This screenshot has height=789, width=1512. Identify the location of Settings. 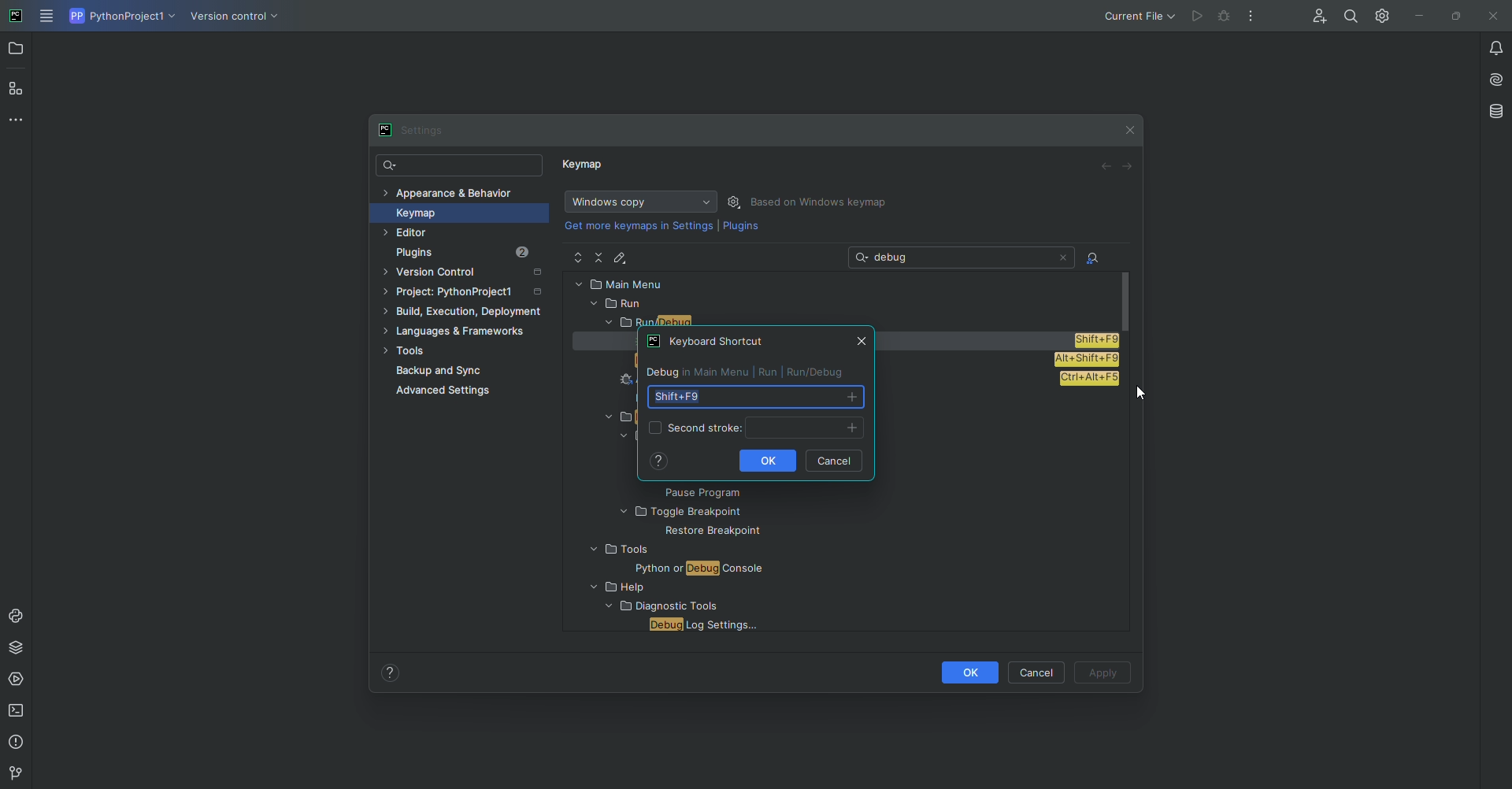
(1379, 15).